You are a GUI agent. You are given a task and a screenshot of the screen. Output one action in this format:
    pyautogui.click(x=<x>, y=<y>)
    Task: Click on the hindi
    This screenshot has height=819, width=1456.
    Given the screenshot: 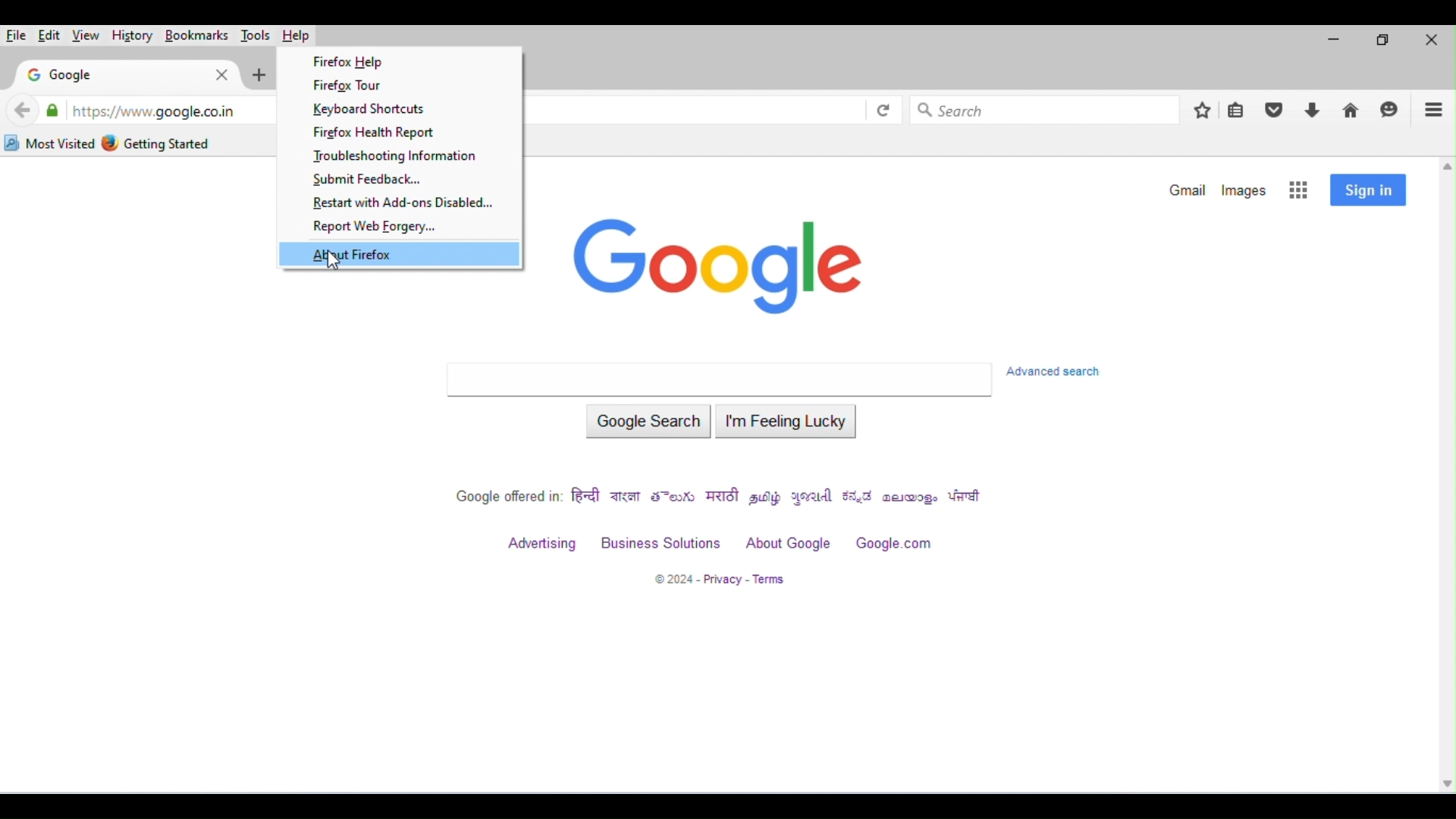 What is the action you would take?
    pyautogui.click(x=587, y=499)
    